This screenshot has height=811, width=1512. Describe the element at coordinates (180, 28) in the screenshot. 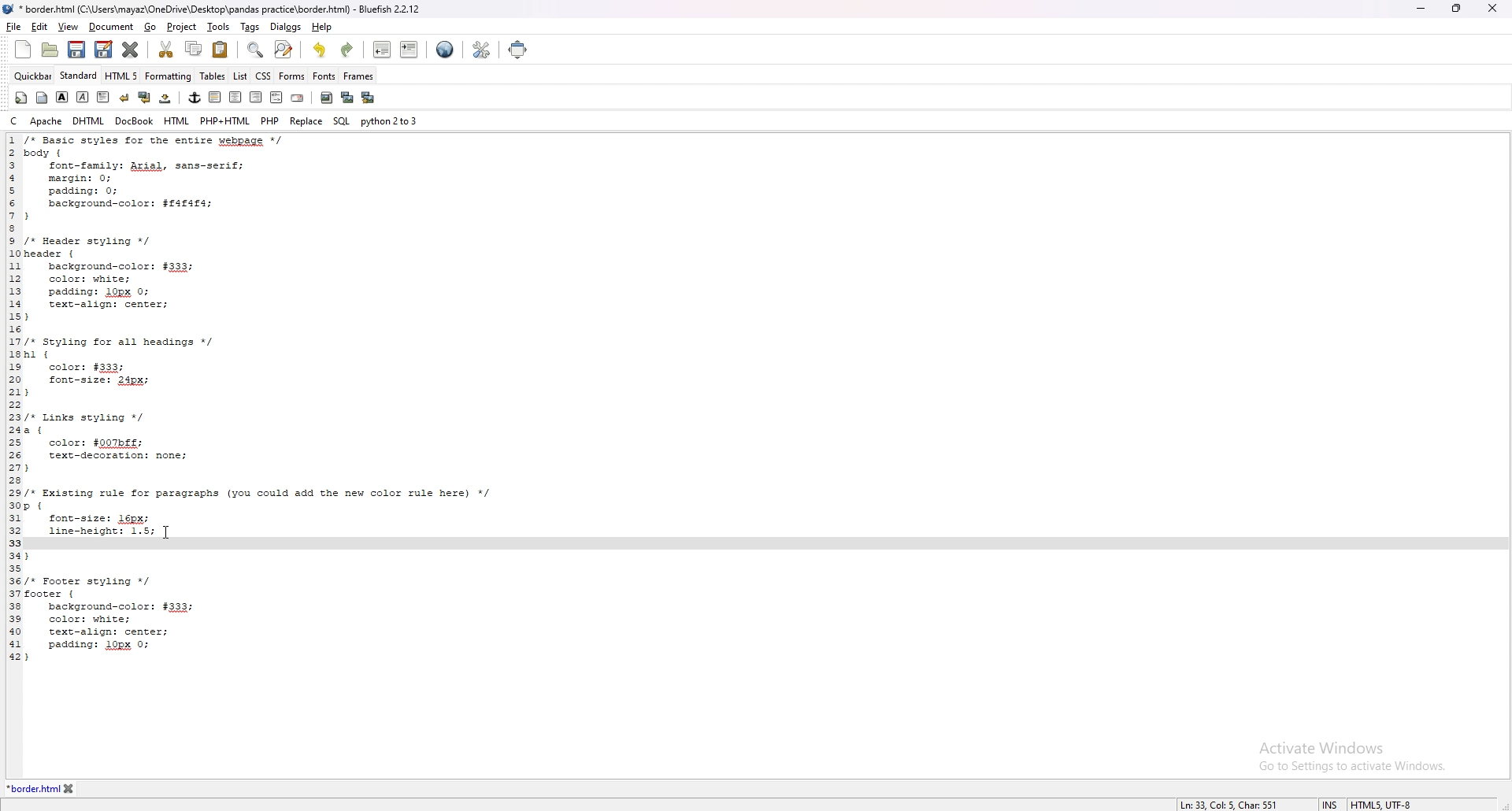

I see `project` at that location.